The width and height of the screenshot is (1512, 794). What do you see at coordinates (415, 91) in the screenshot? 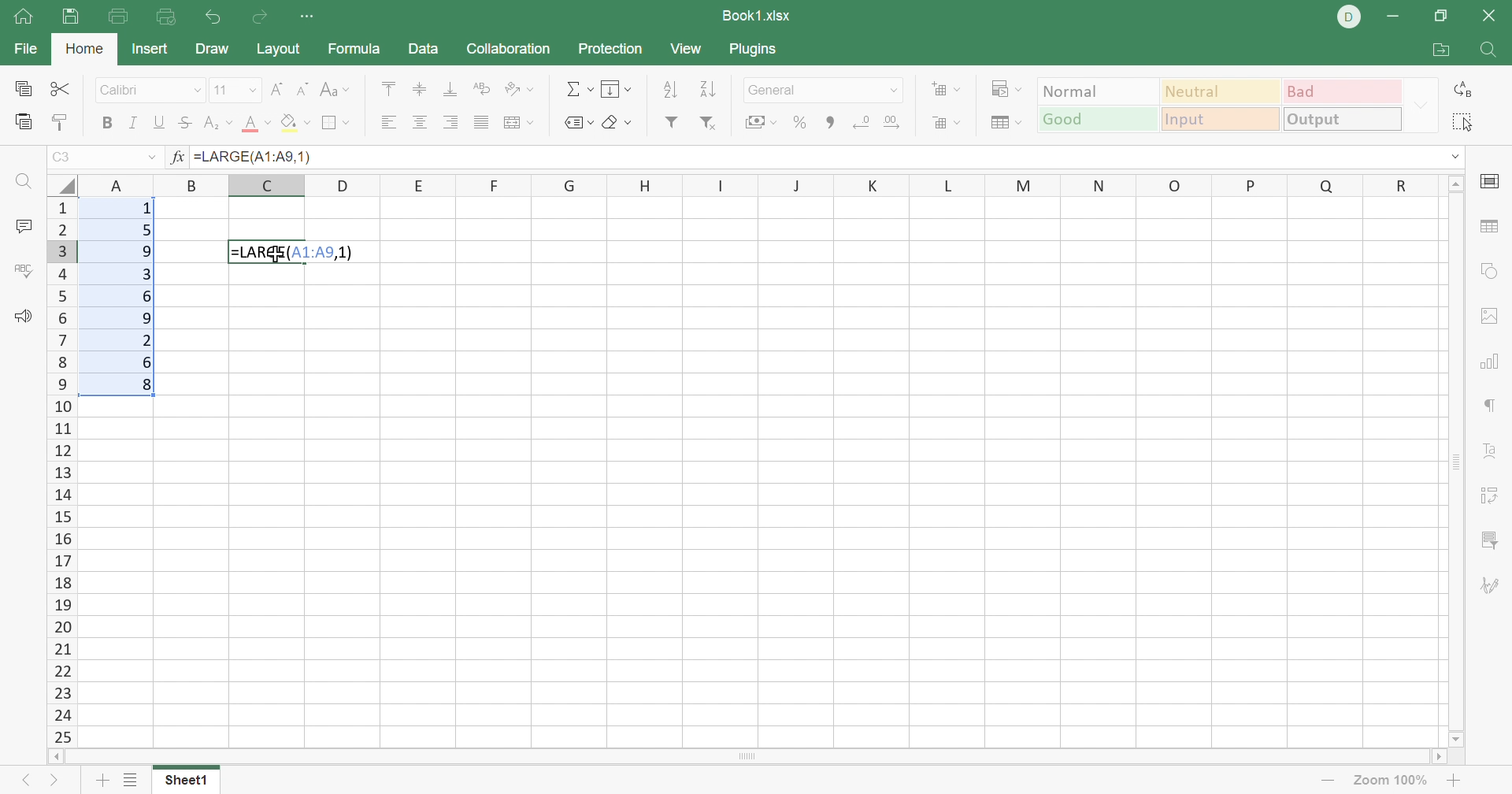
I see `Align Middle` at bounding box center [415, 91].